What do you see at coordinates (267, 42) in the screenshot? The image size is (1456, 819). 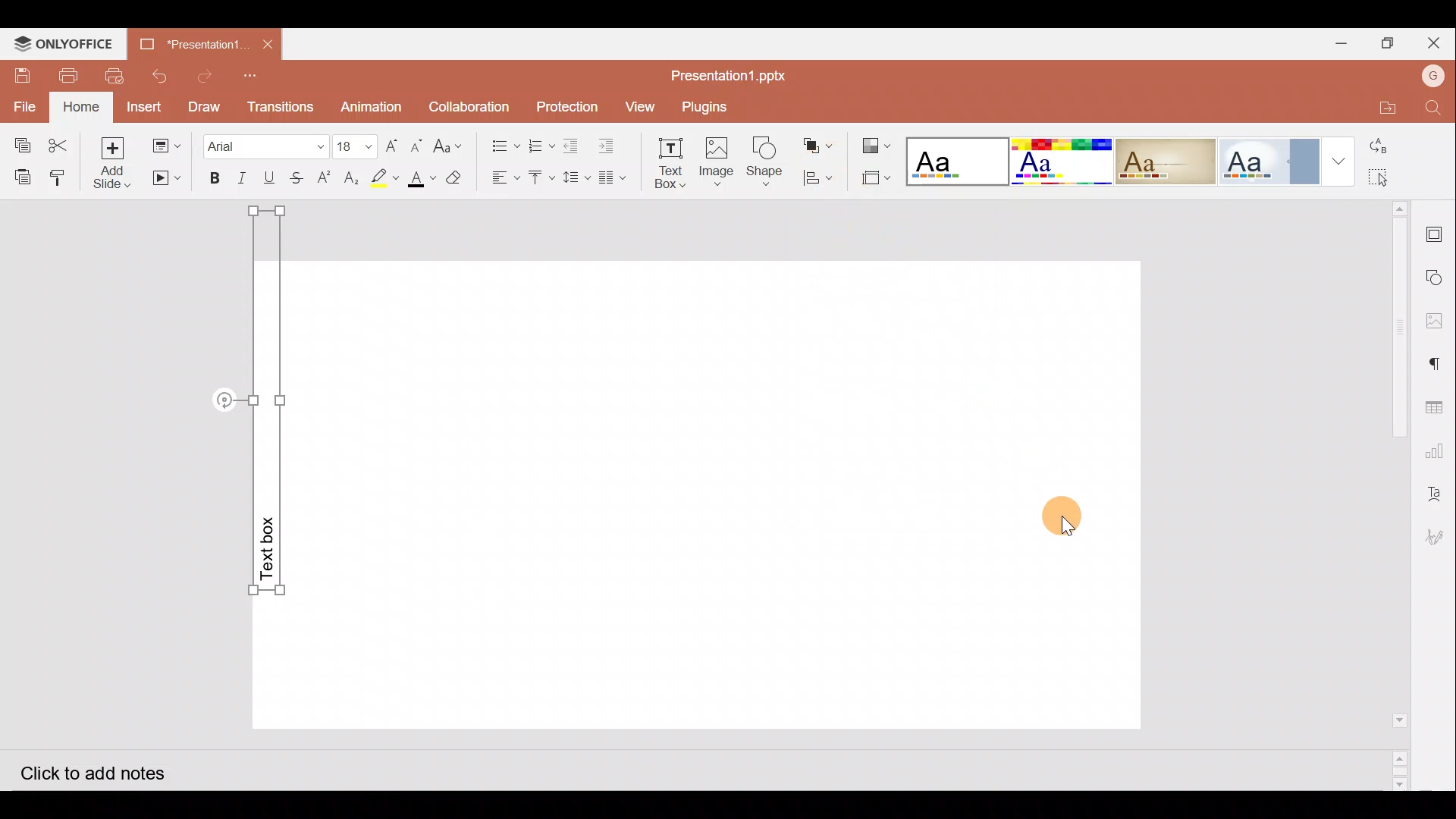 I see `Close document` at bounding box center [267, 42].